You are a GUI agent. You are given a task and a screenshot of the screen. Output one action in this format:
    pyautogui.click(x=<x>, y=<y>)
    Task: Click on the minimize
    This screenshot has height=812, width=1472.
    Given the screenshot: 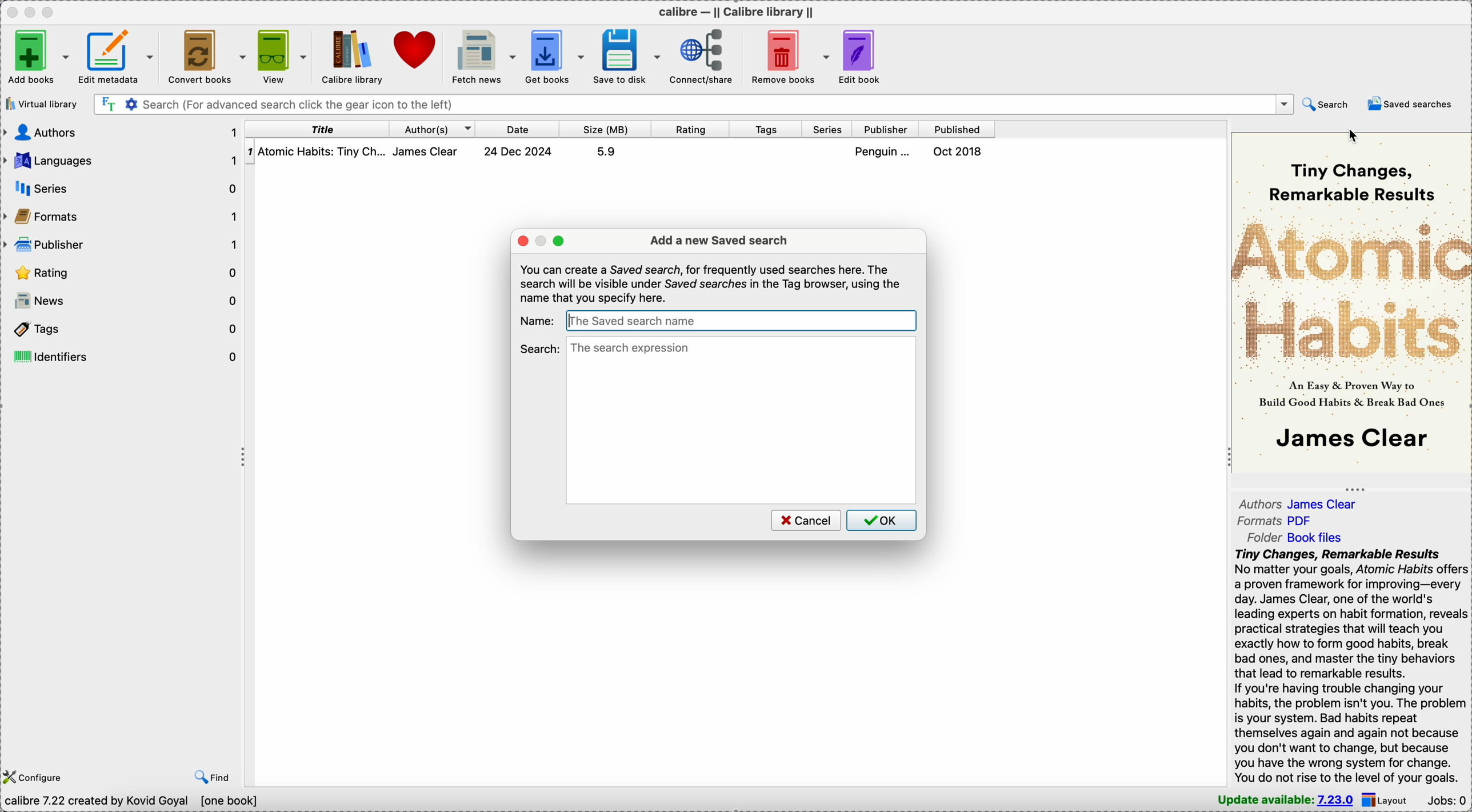 What is the action you would take?
    pyautogui.click(x=33, y=11)
    